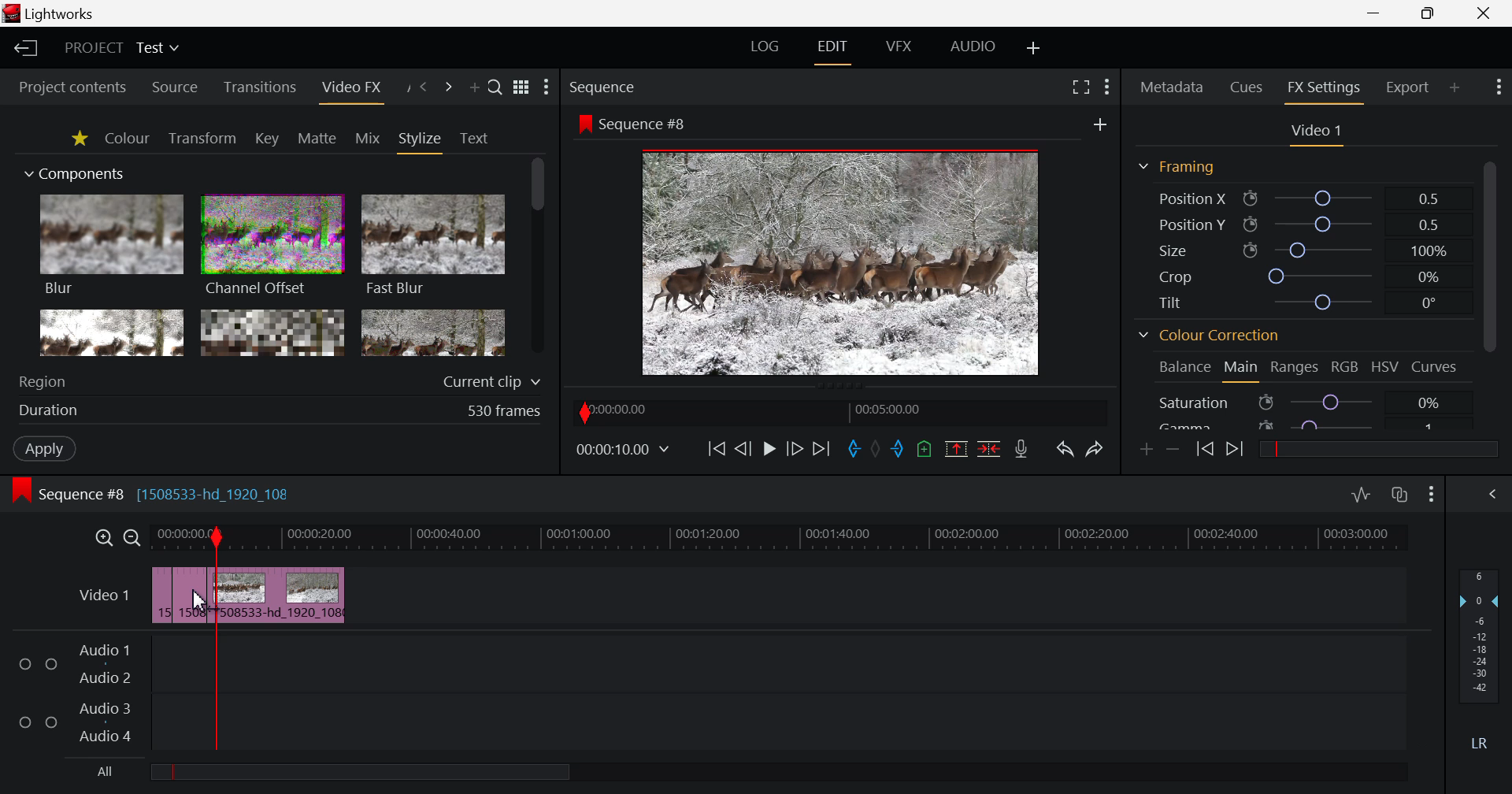 Image resolution: width=1512 pixels, height=794 pixels. What do you see at coordinates (271, 332) in the screenshot?
I see `Mosaic` at bounding box center [271, 332].